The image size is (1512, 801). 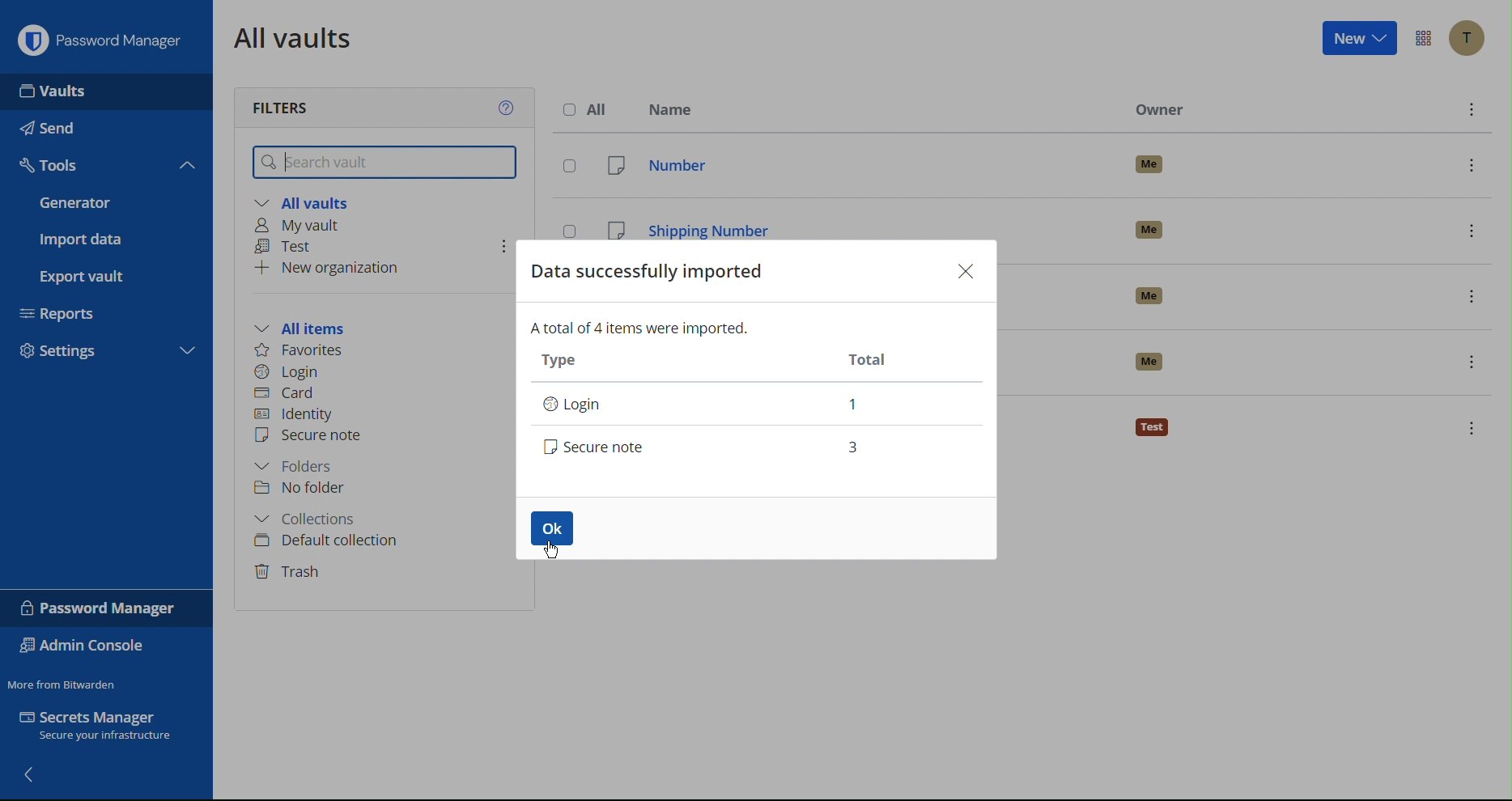 I want to click on Login, so click(x=677, y=405).